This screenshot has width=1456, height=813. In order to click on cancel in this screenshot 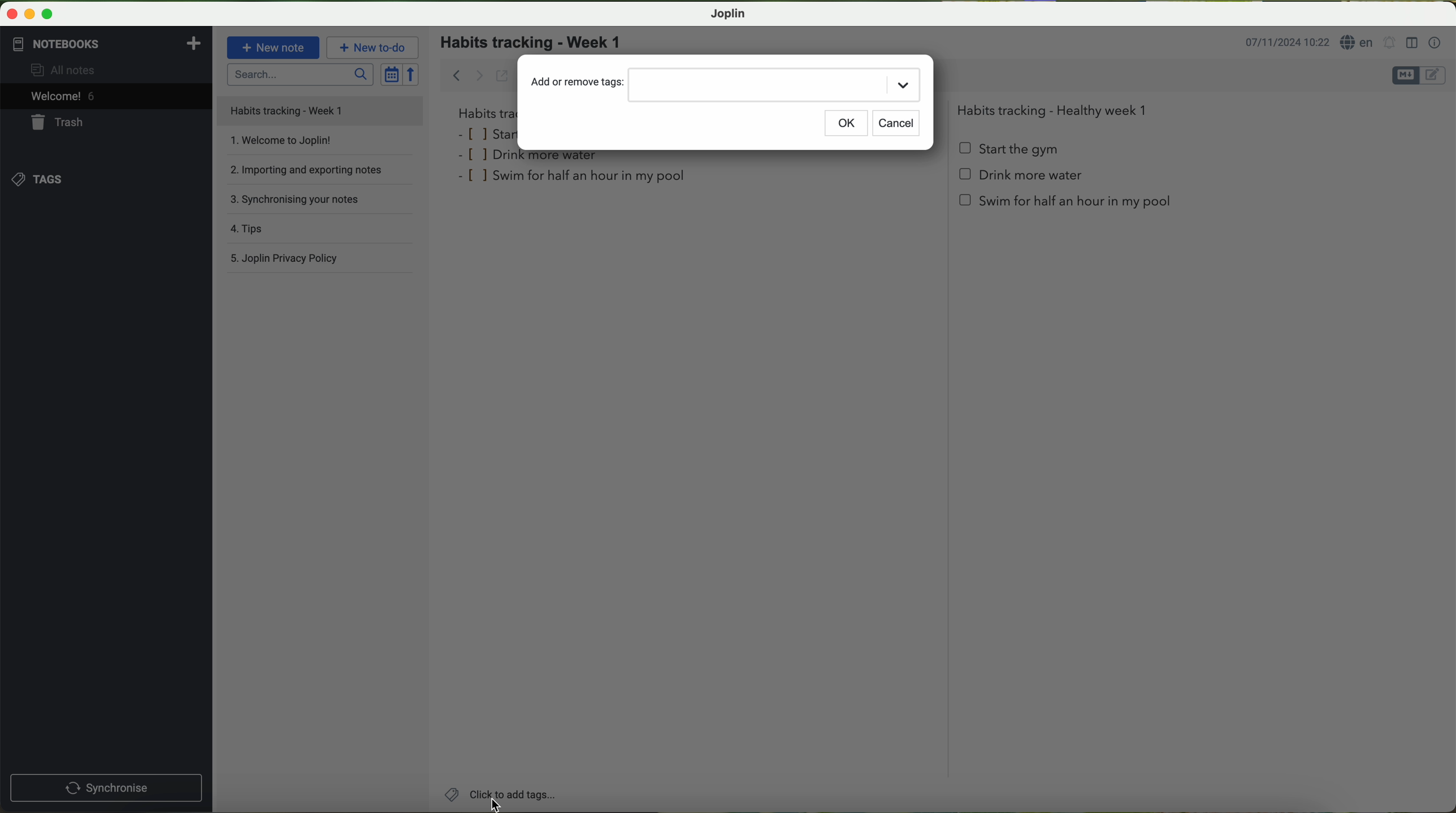, I will do `click(895, 124)`.